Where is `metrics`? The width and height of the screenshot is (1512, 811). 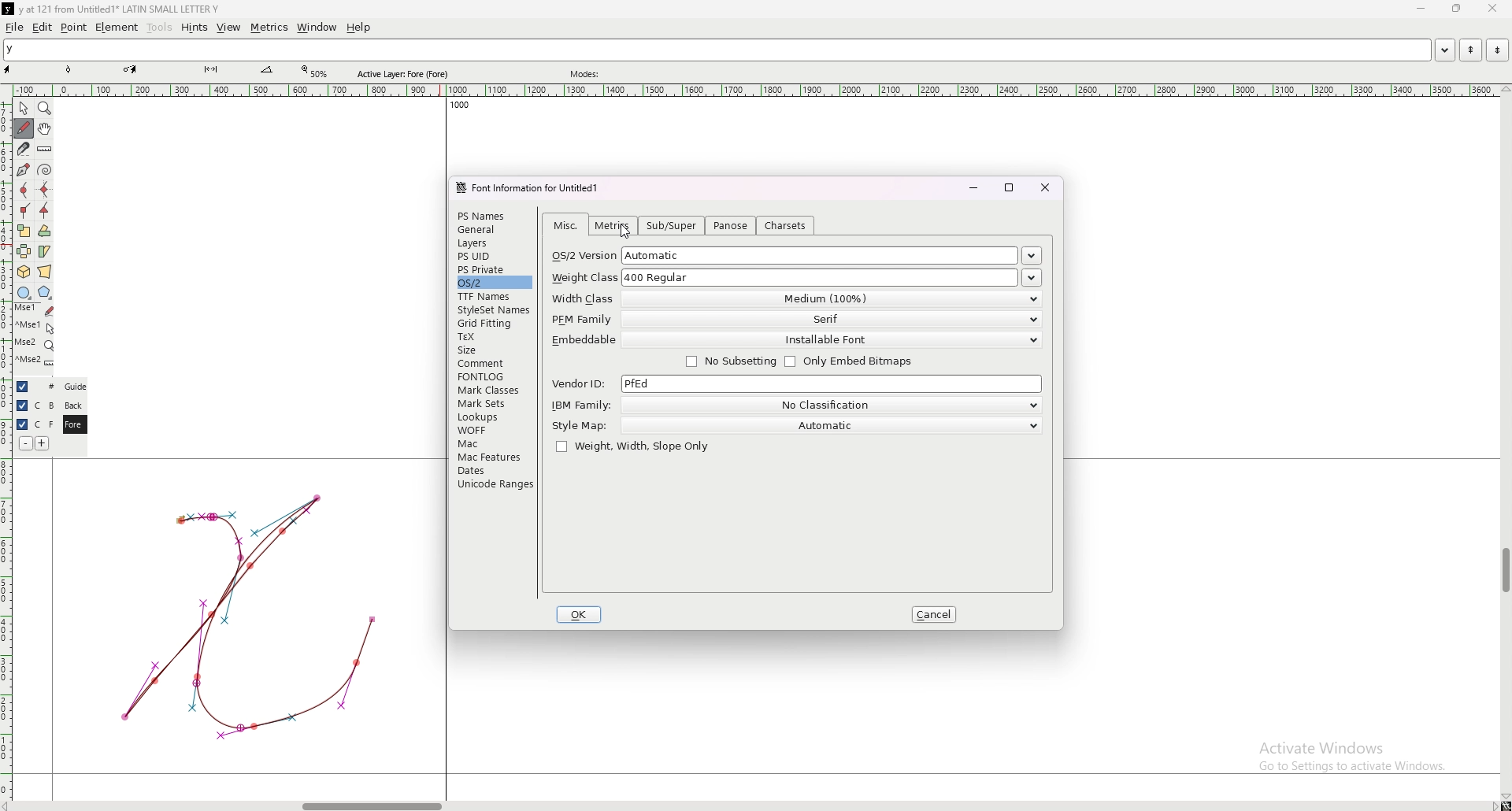
metrics is located at coordinates (611, 225).